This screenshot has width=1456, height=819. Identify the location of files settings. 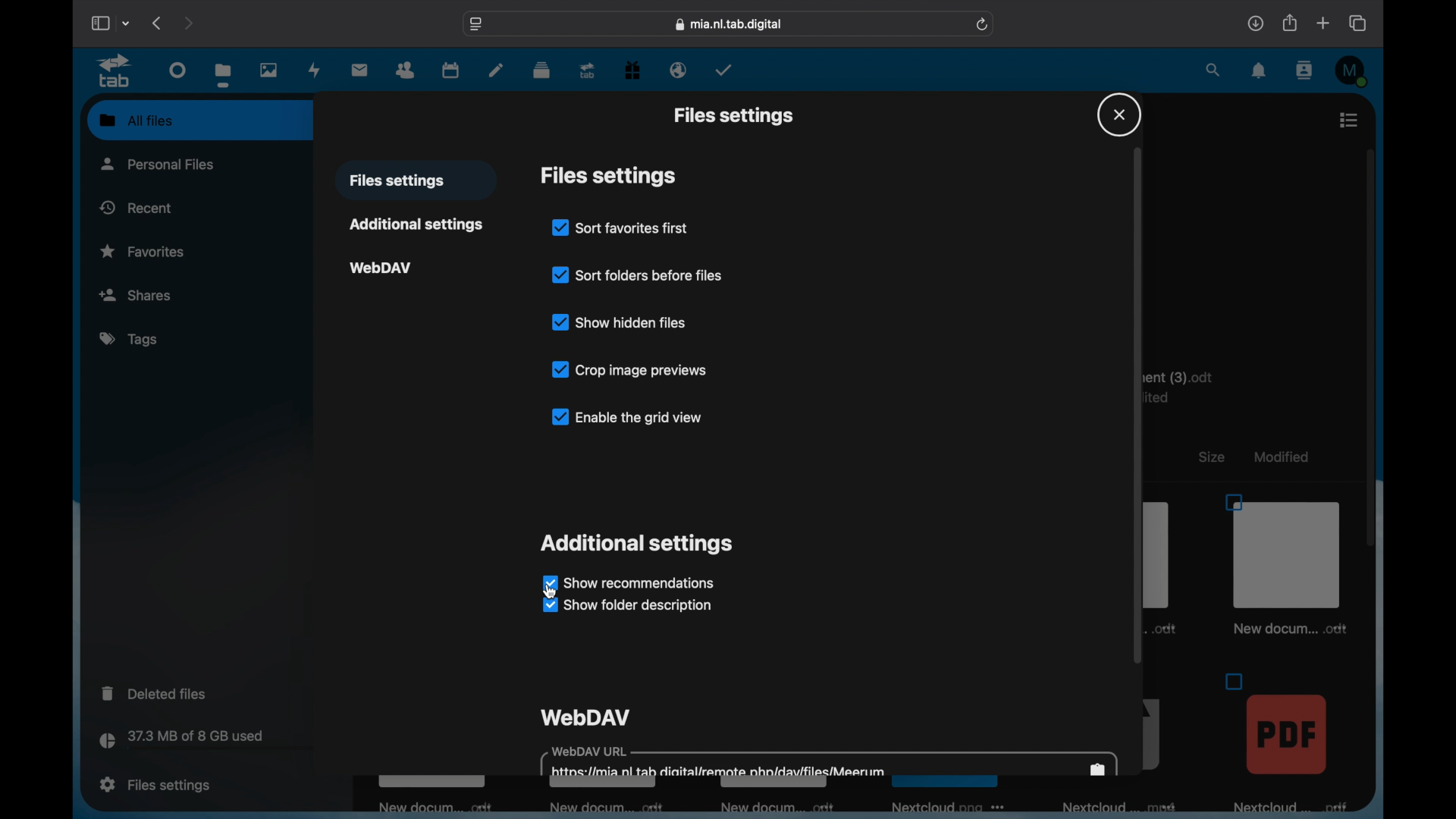
(155, 783).